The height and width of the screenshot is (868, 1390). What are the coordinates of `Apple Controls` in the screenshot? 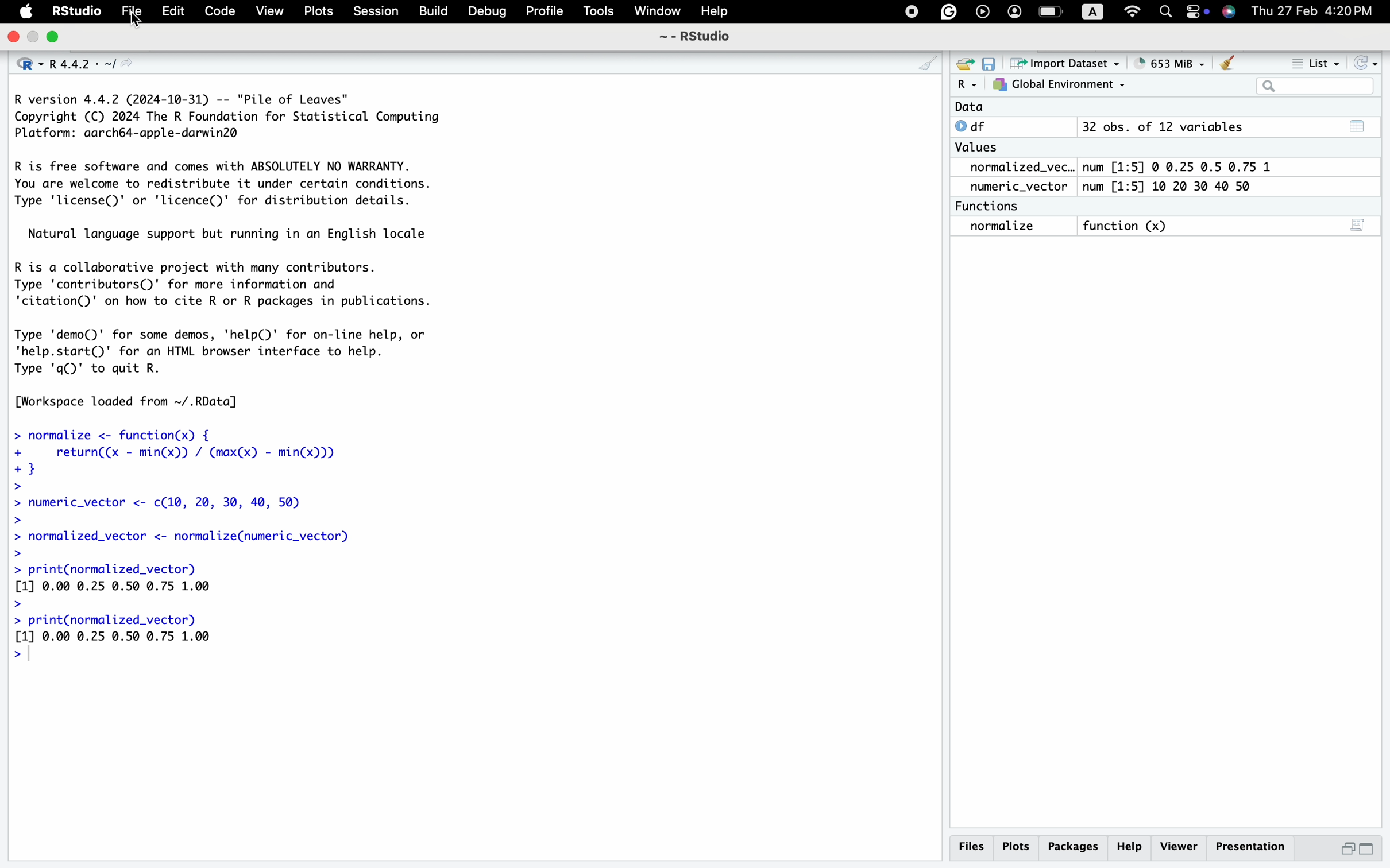 It's located at (1065, 13).